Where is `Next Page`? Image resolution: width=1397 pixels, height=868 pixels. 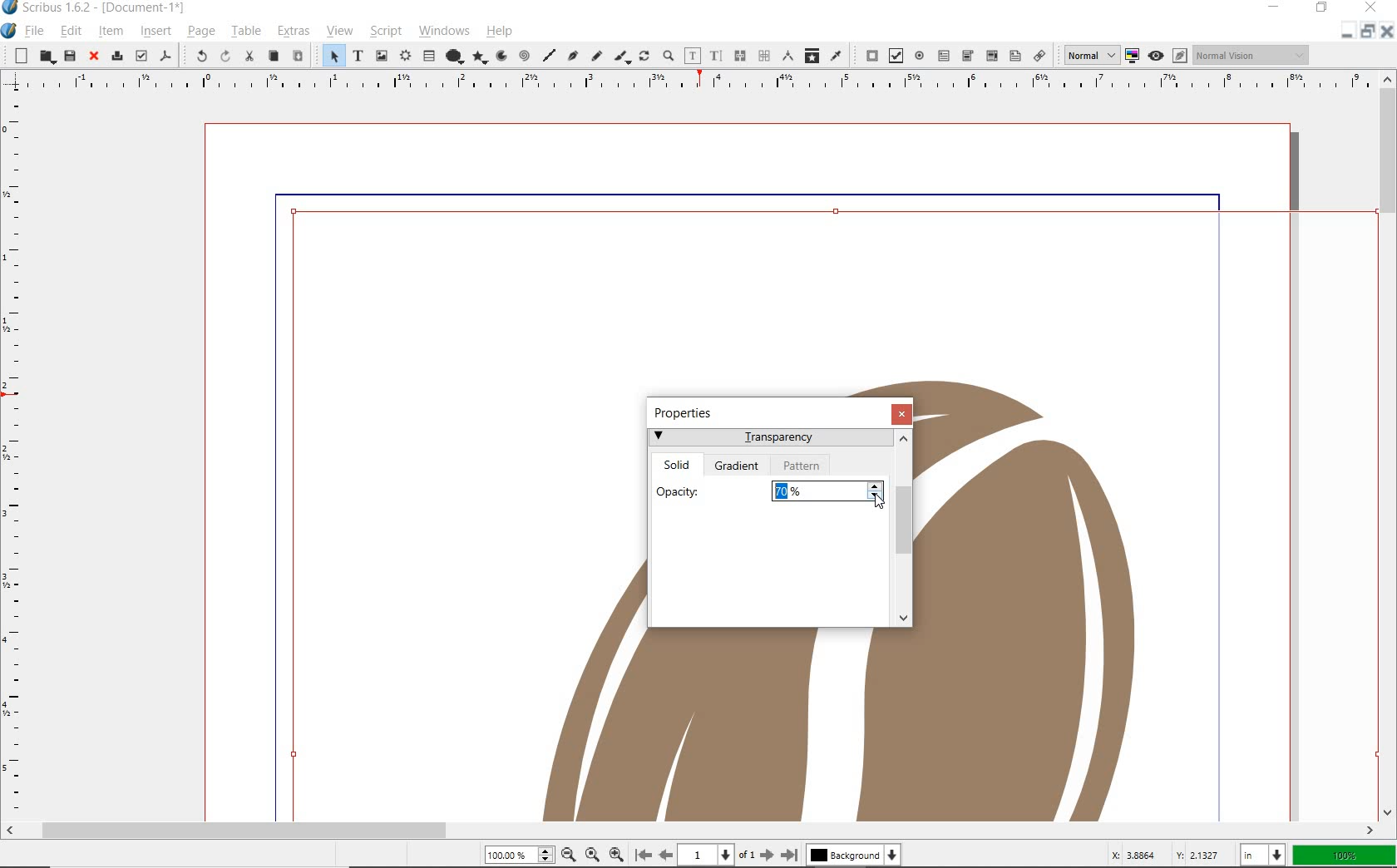
Next Page is located at coordinates (768, 856).